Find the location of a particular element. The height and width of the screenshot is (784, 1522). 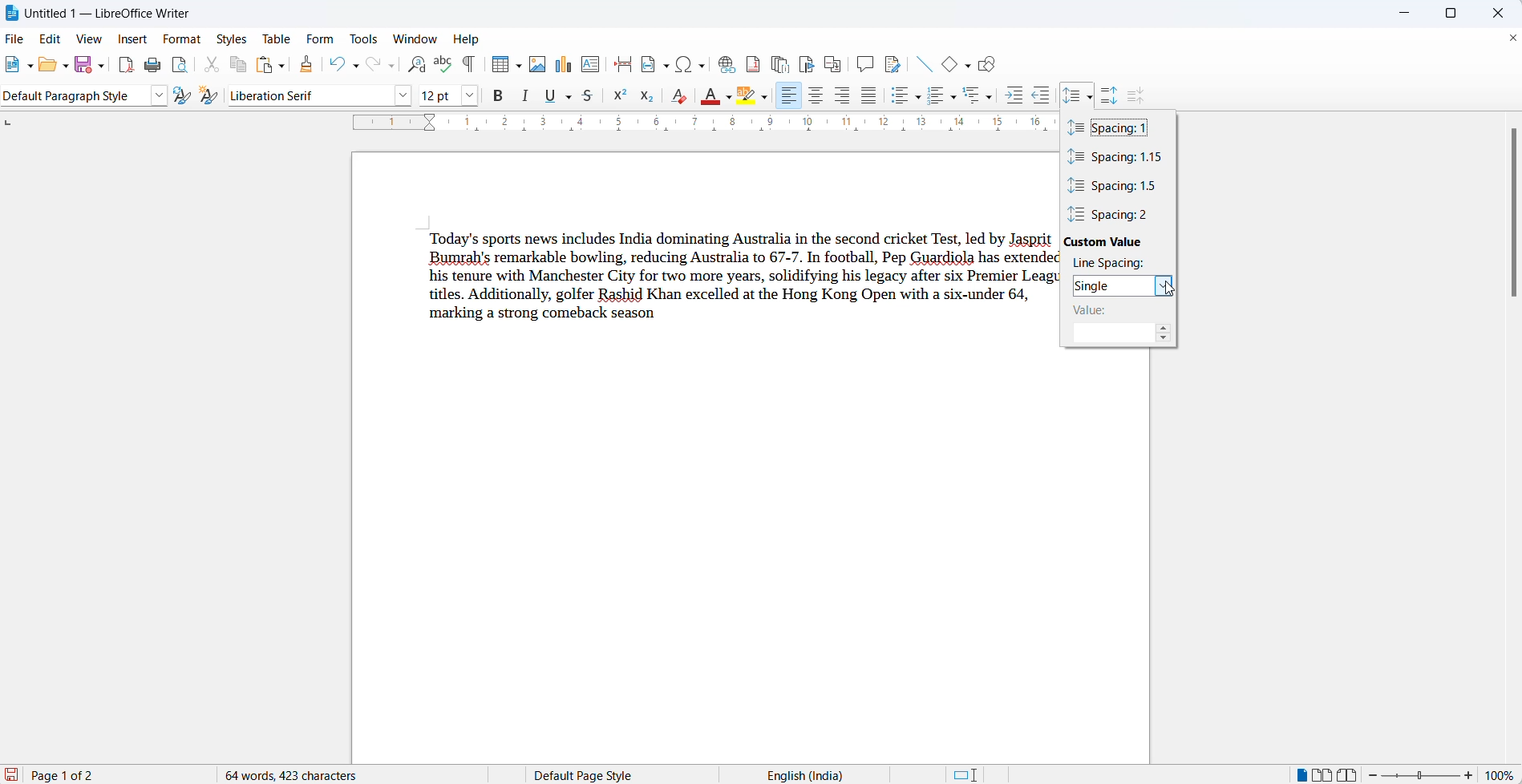

select outline format is located at coordinates (978, 96).